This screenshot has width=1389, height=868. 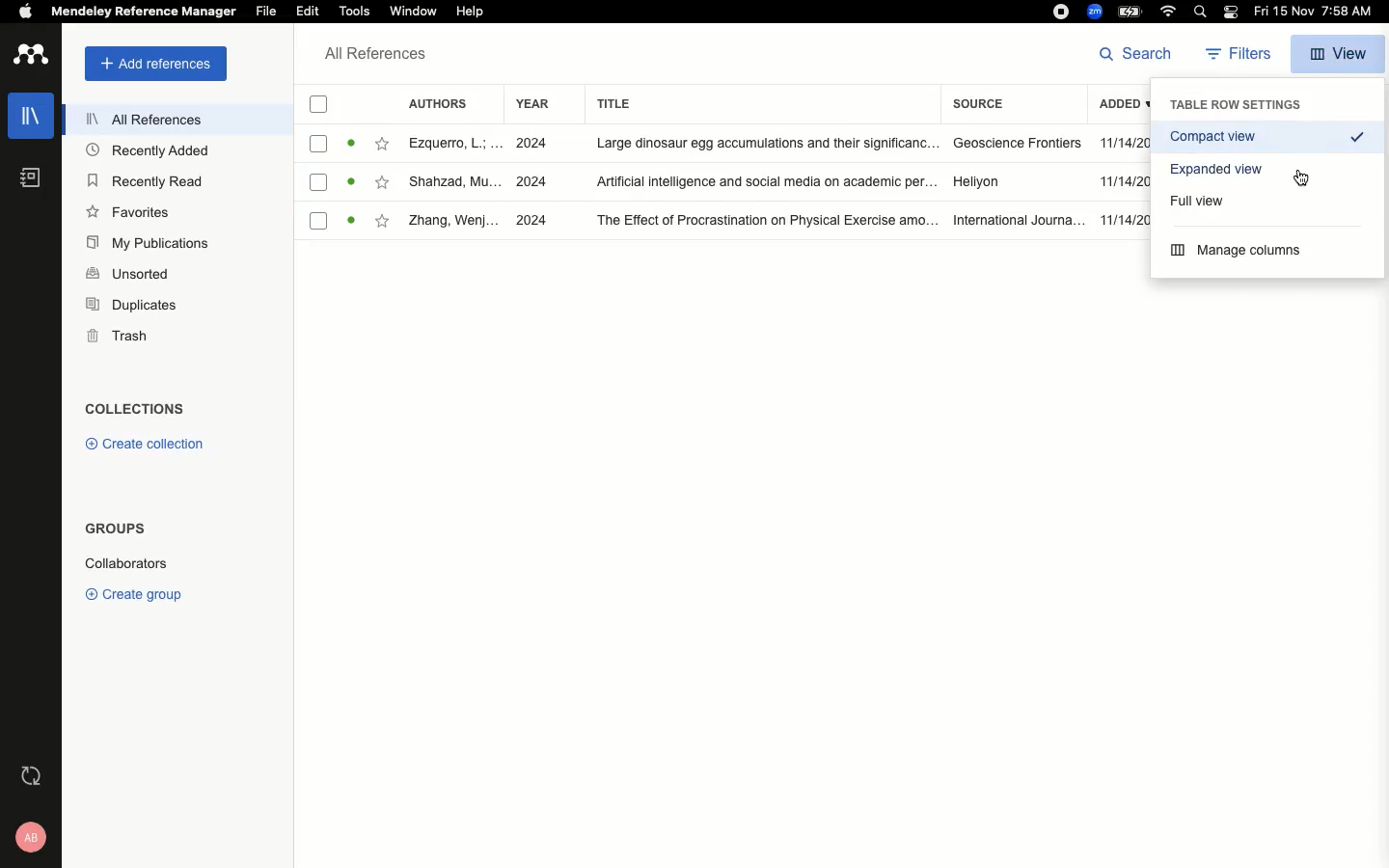 What do you see at coordinates (454, 222) in the screenshot?
I see `Zhang` at bounding box center [454, 222].